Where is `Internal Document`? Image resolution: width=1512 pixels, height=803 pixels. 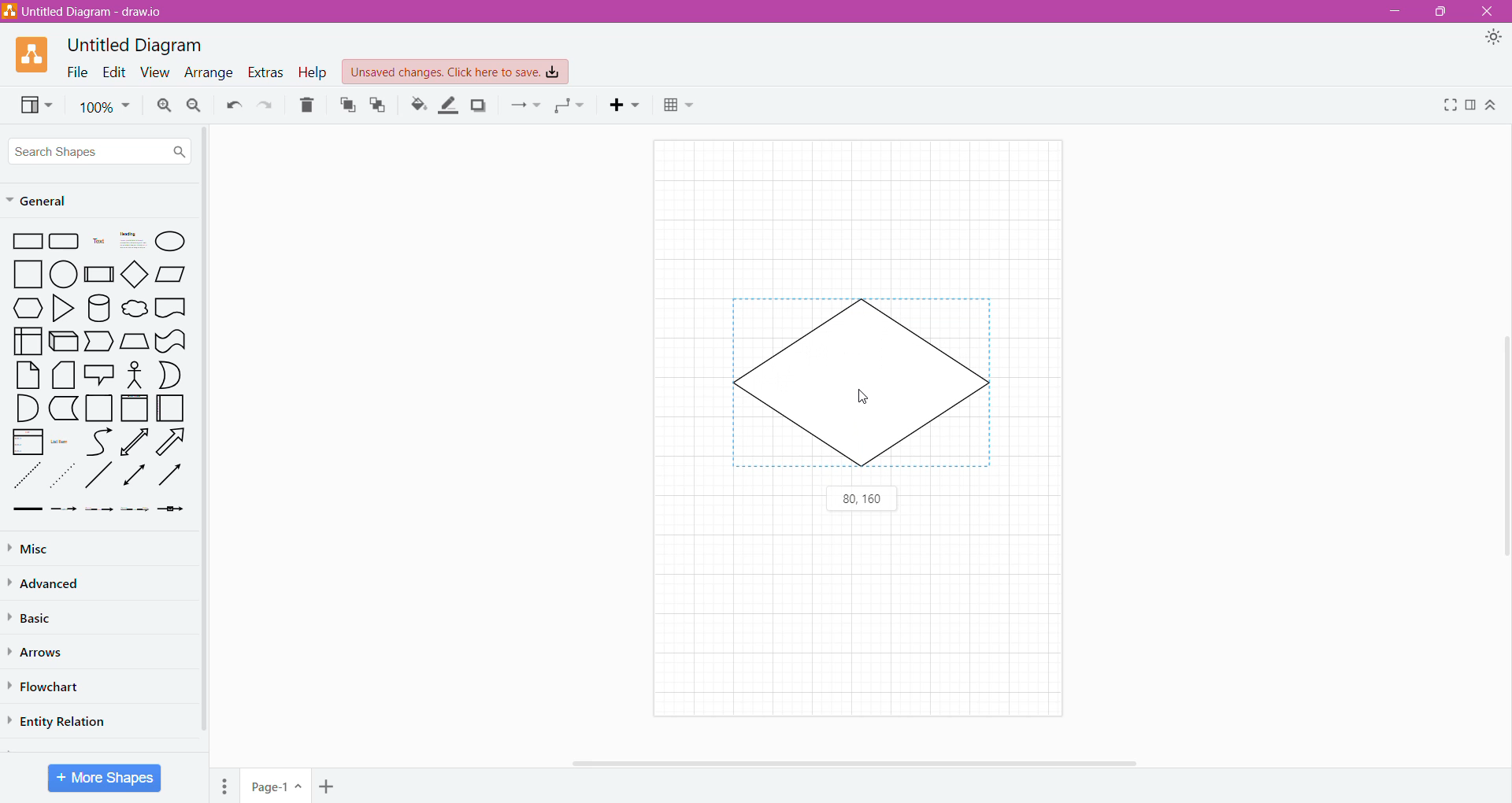
Internal Document is located at coordinates (27, 339).